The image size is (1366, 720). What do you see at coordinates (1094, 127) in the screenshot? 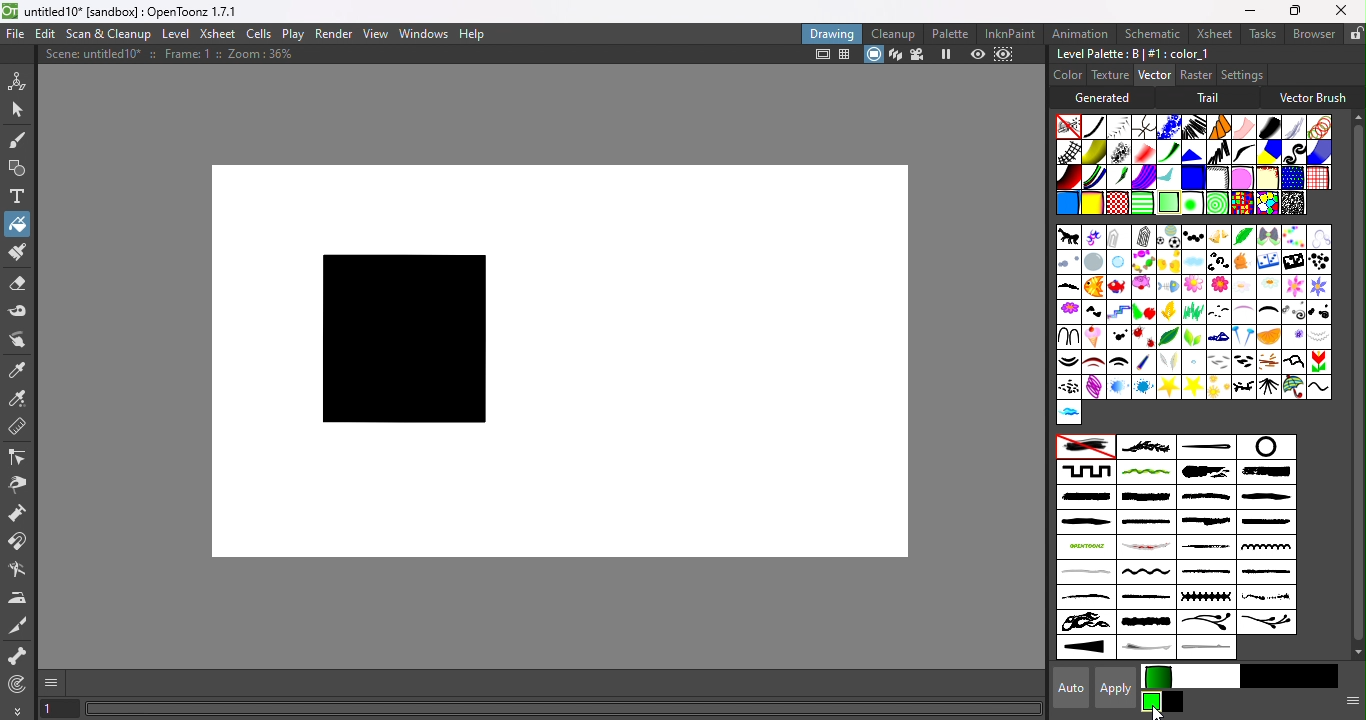
I see `Constant` at bounding box center [1094, 127].